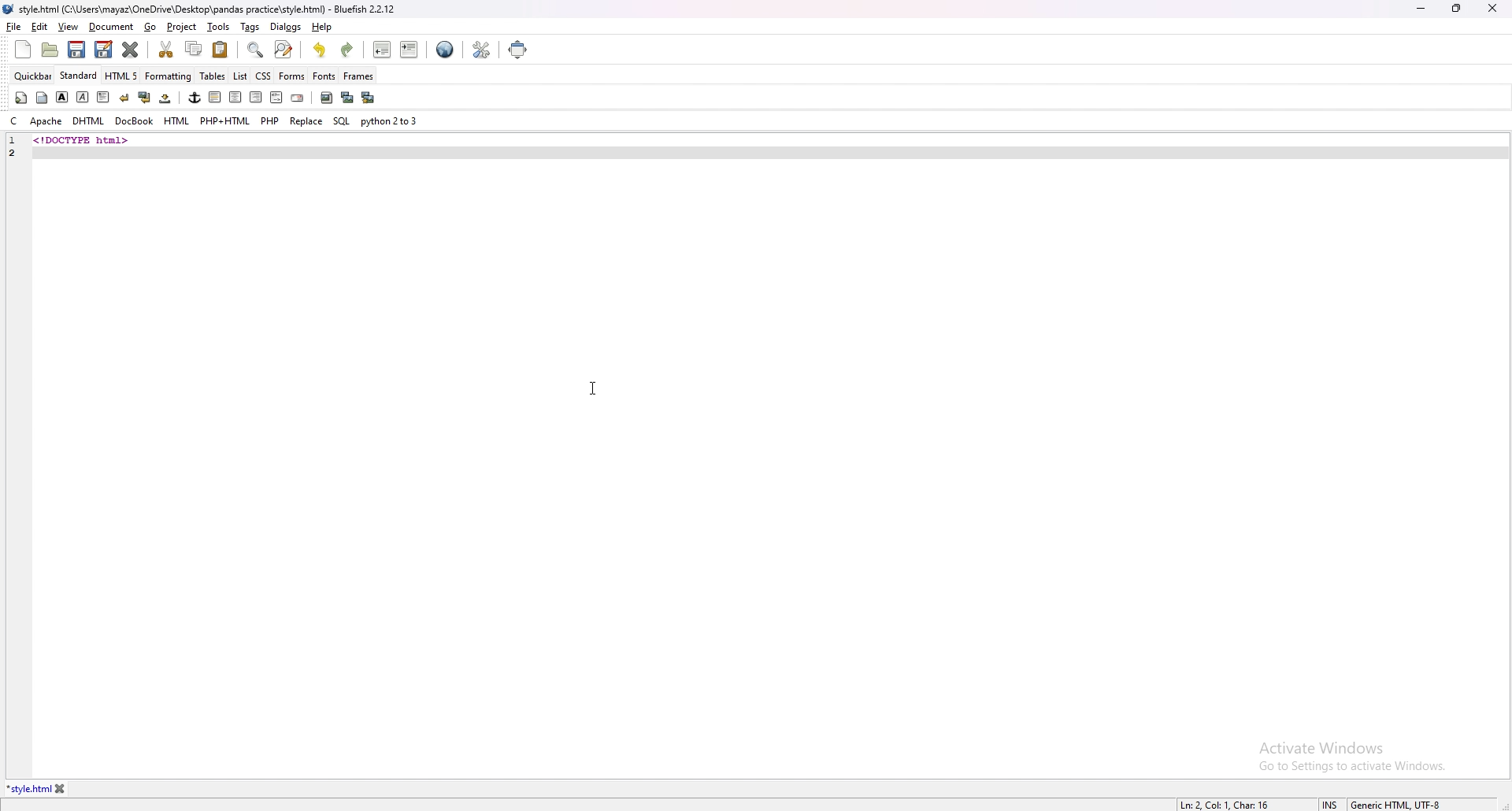  What do you see at coordinates (102, 96) in the screenshot?
I see `paragraph` at bounding box center [102, 96].